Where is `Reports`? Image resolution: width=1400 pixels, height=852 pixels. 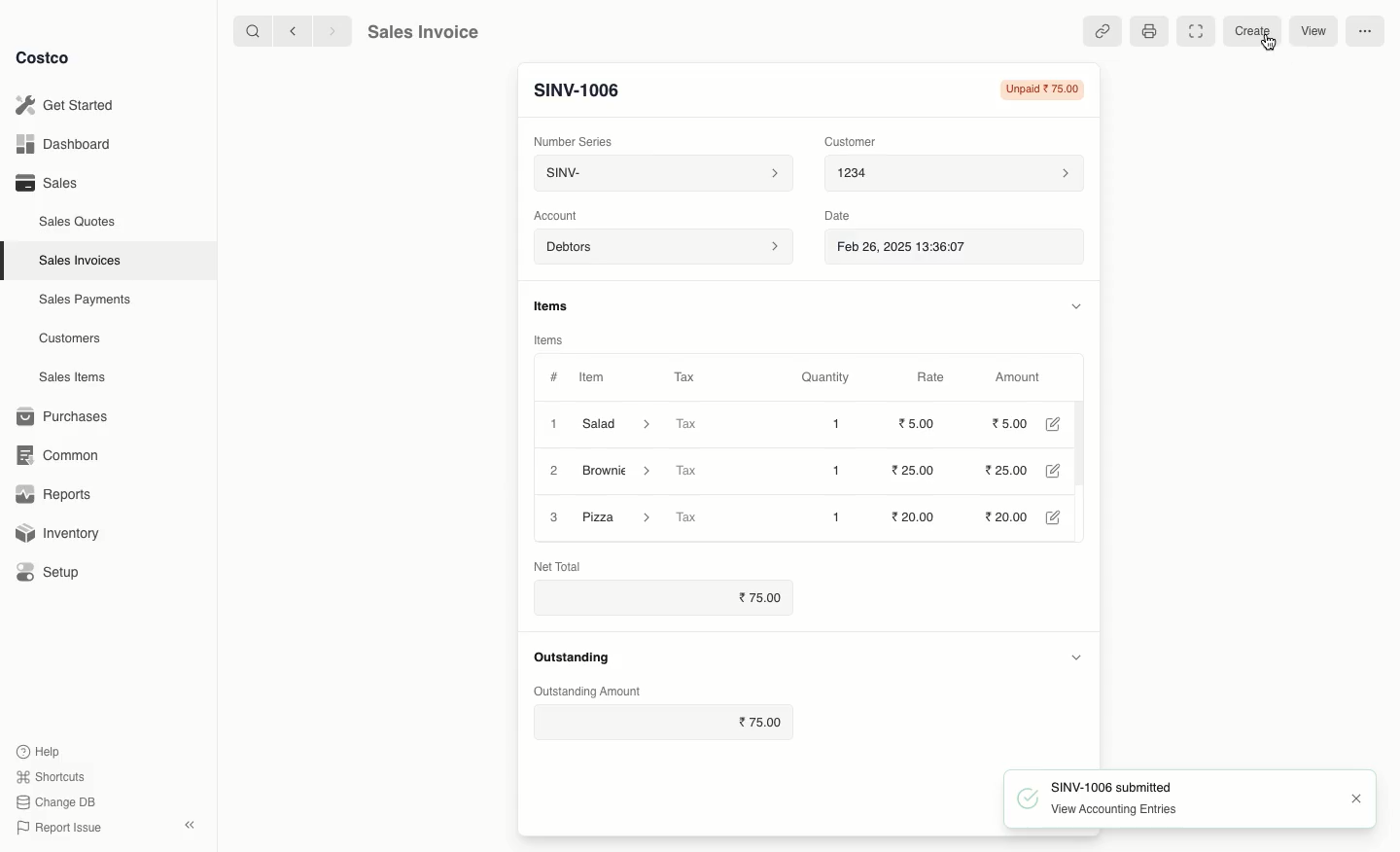 Reports is located at coordinates (54, 496).